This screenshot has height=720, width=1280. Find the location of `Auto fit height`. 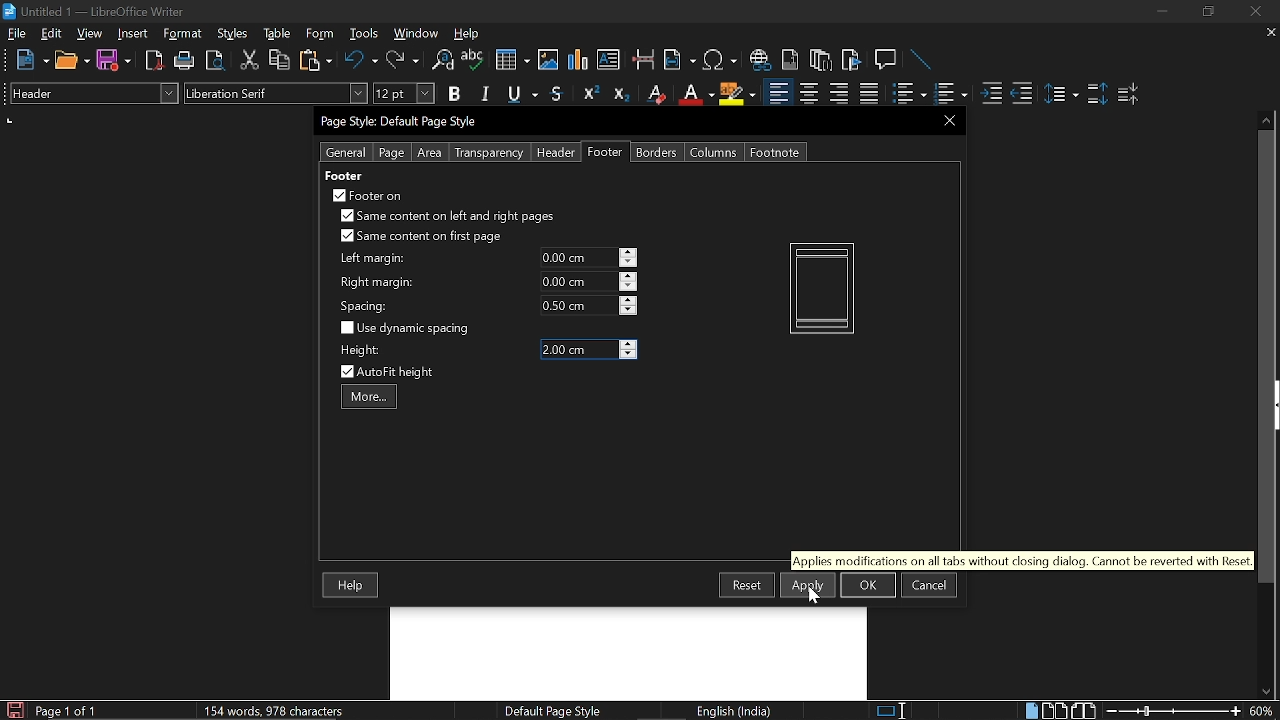

Auto fit height is located at coordinates (400, 372).